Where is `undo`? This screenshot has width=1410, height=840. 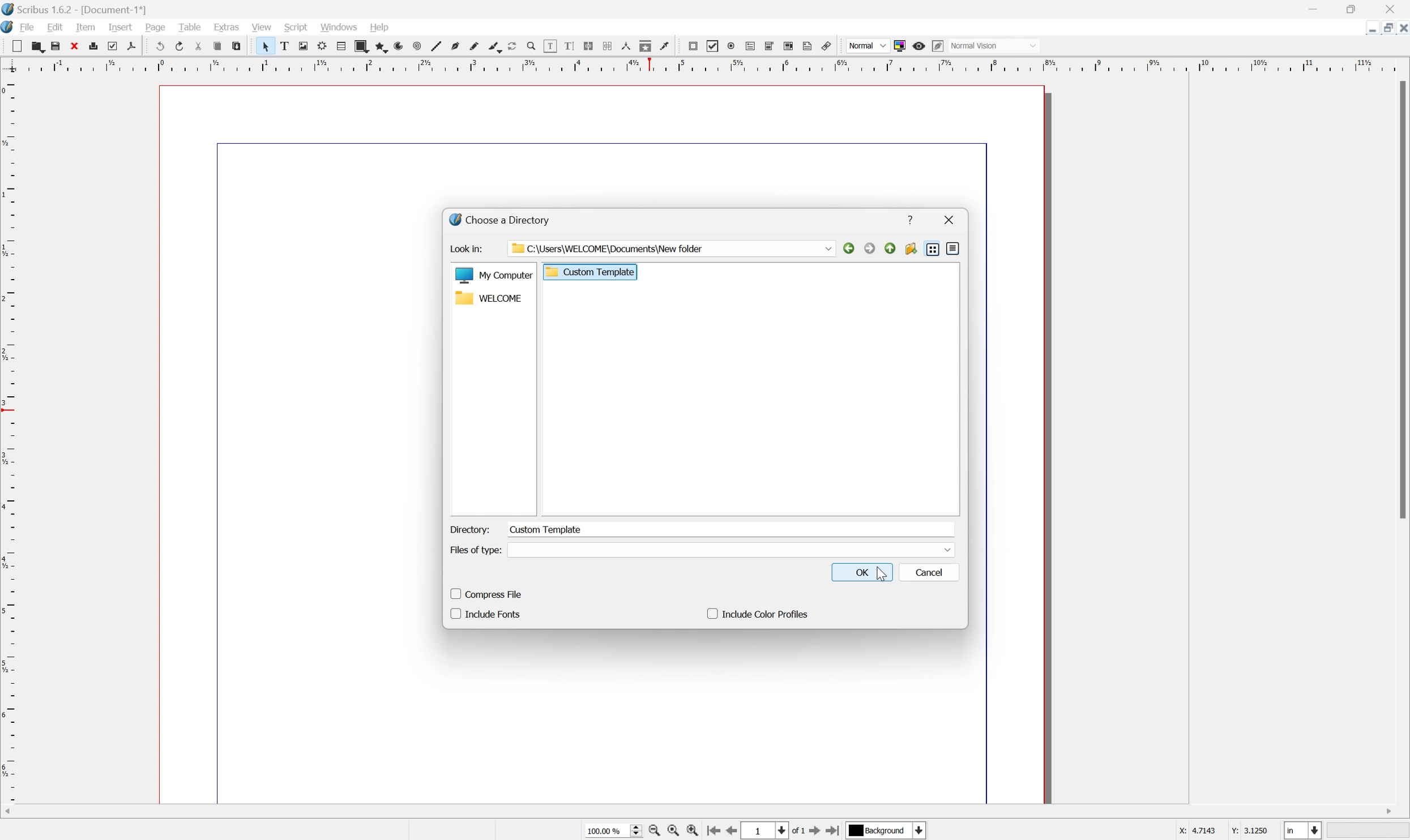 undo is located at coordinates (158, 46).